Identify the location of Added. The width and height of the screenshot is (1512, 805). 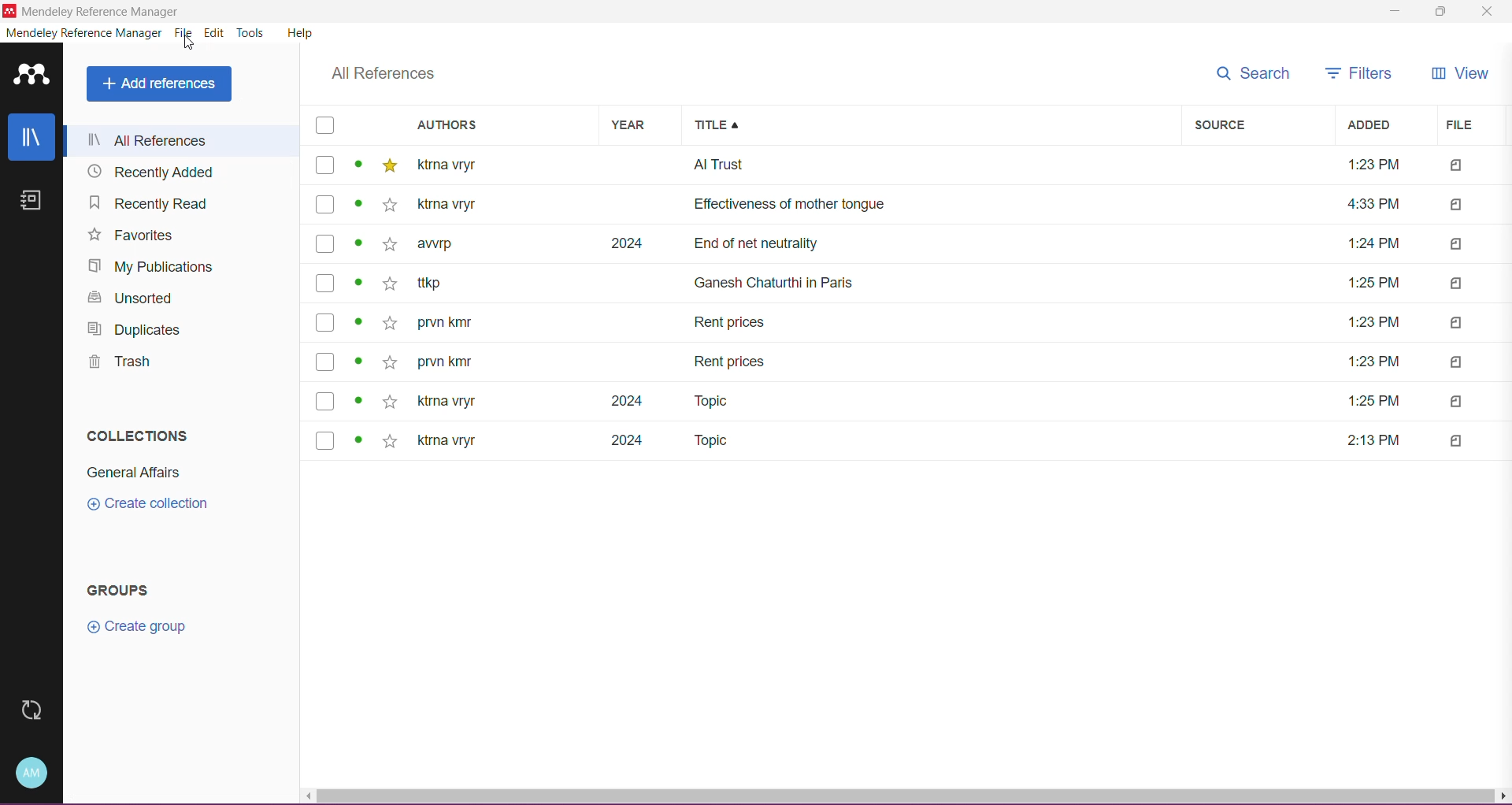
(1382, 124).